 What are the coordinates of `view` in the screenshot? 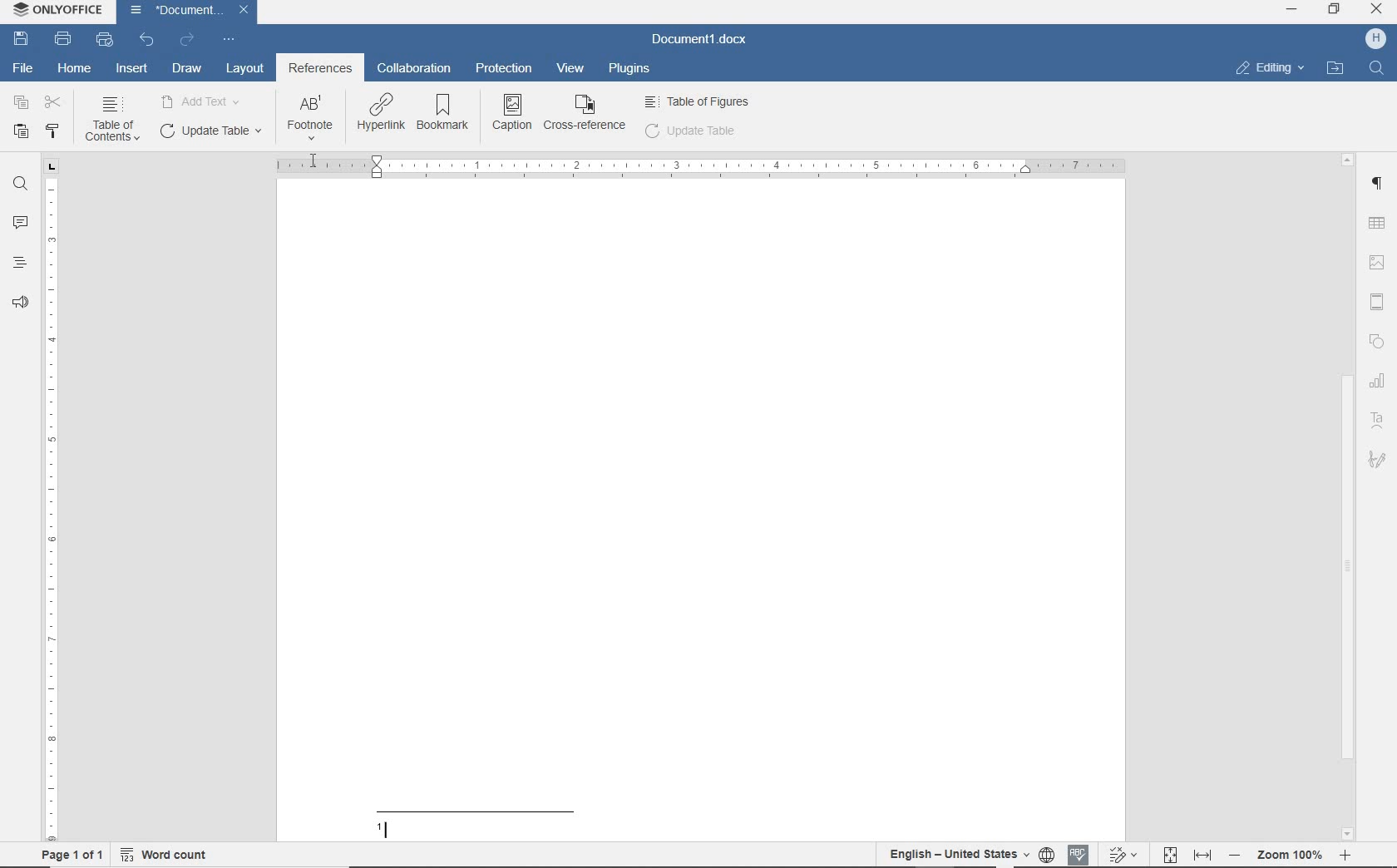 It's located at (573, 67).